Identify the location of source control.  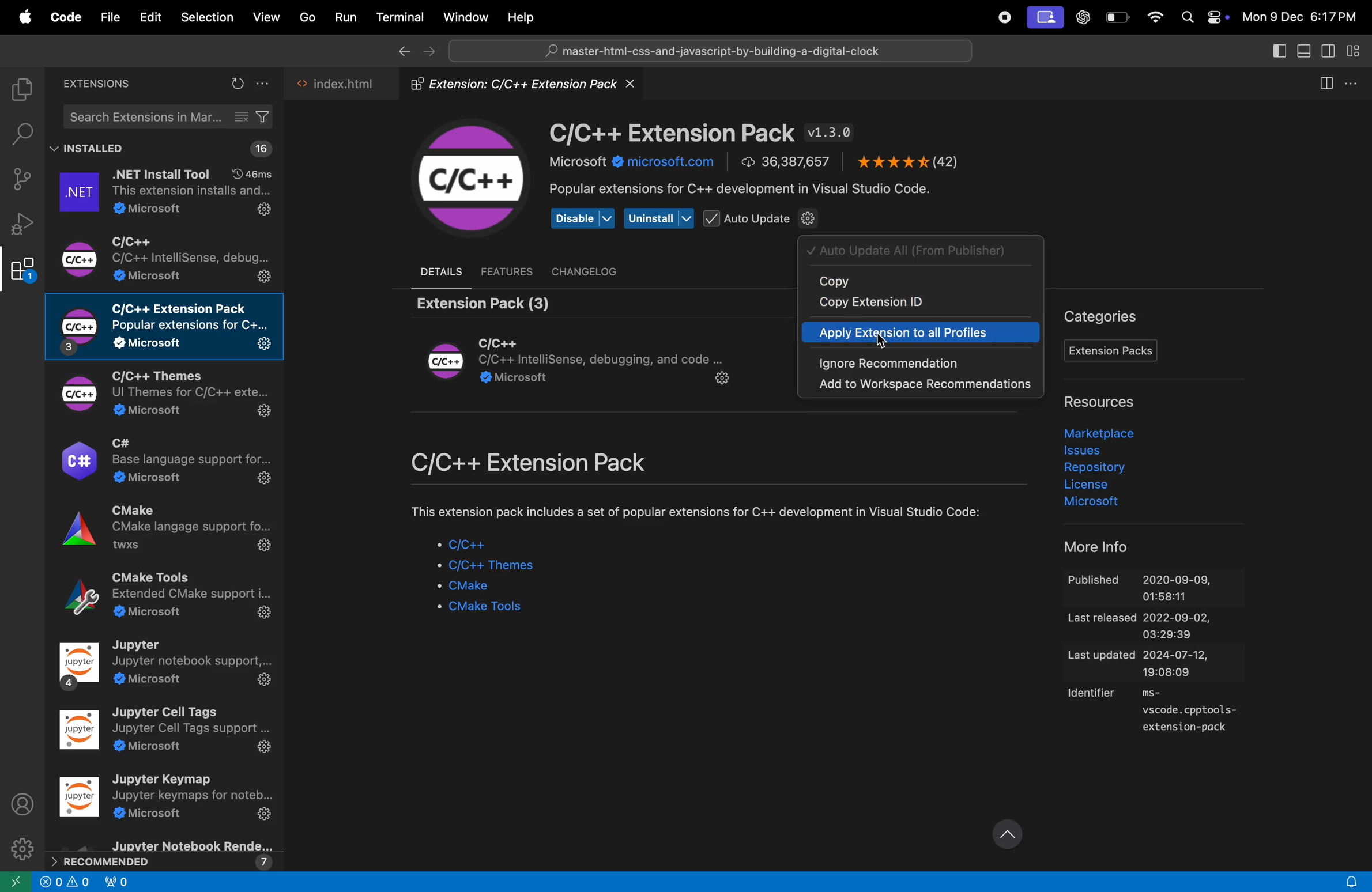
(21, 179).